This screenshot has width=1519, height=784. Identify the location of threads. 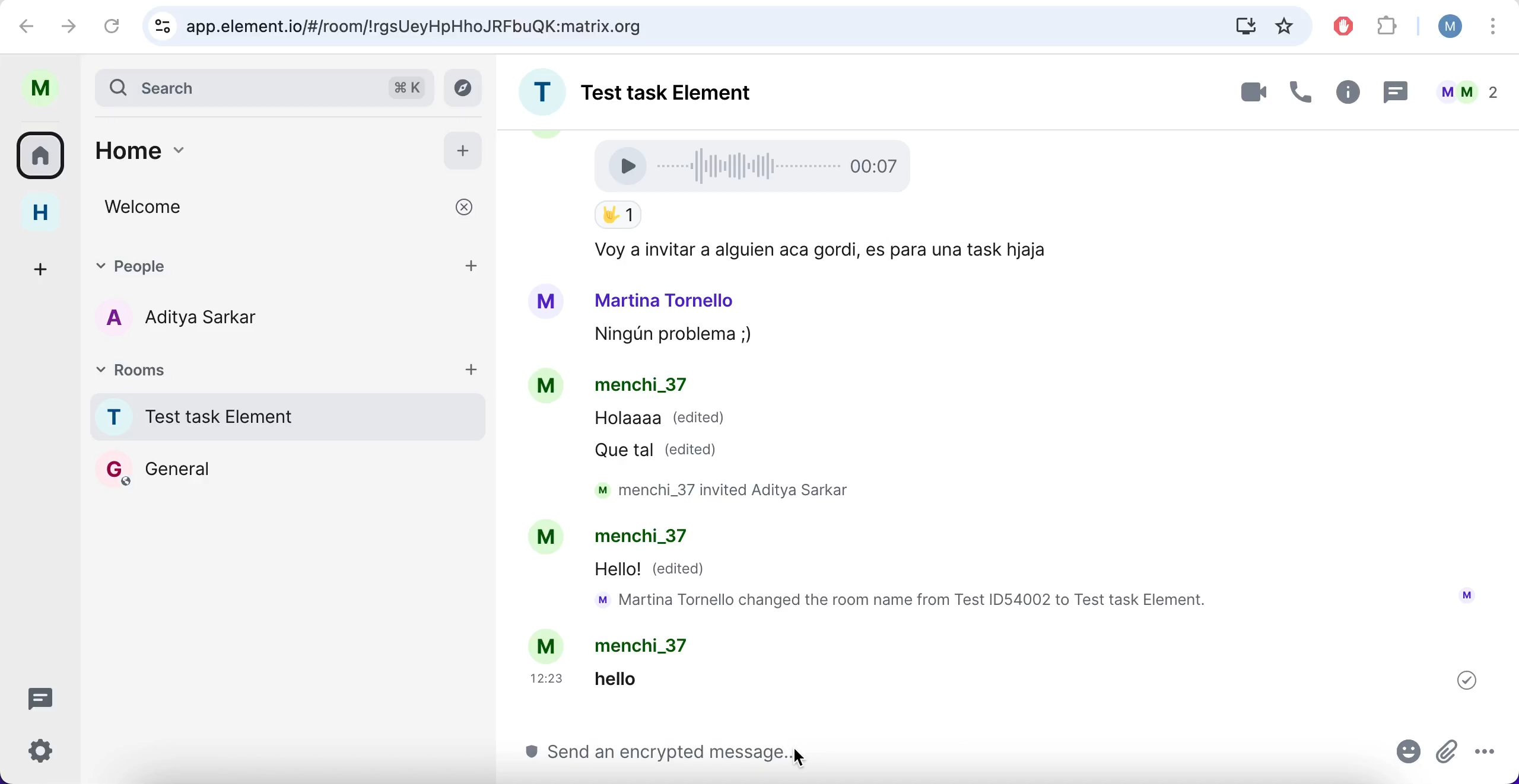
(47, 697).